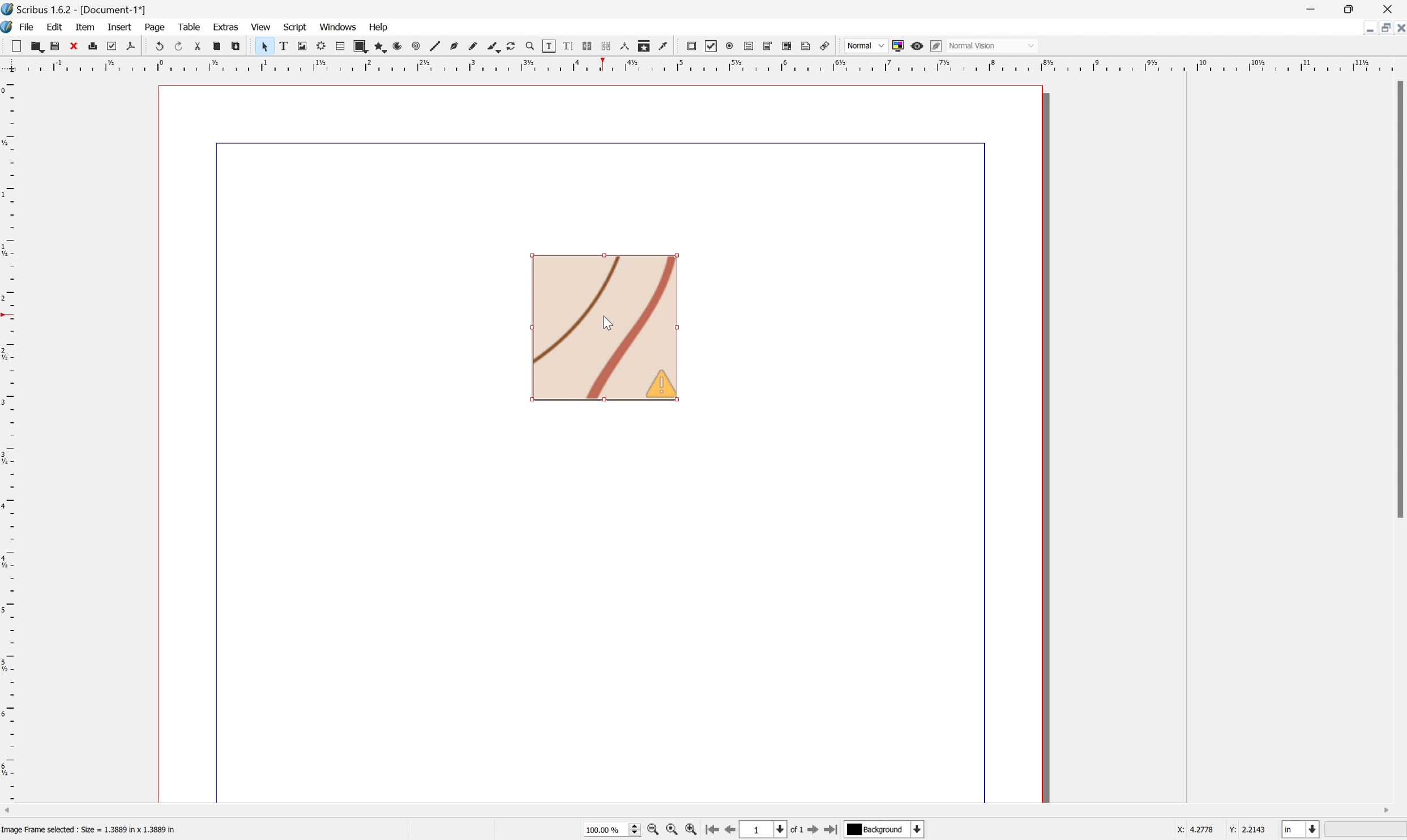 The height and width of the screenshot is (840, 1407). I want to click on First Page, so click(713, 829).